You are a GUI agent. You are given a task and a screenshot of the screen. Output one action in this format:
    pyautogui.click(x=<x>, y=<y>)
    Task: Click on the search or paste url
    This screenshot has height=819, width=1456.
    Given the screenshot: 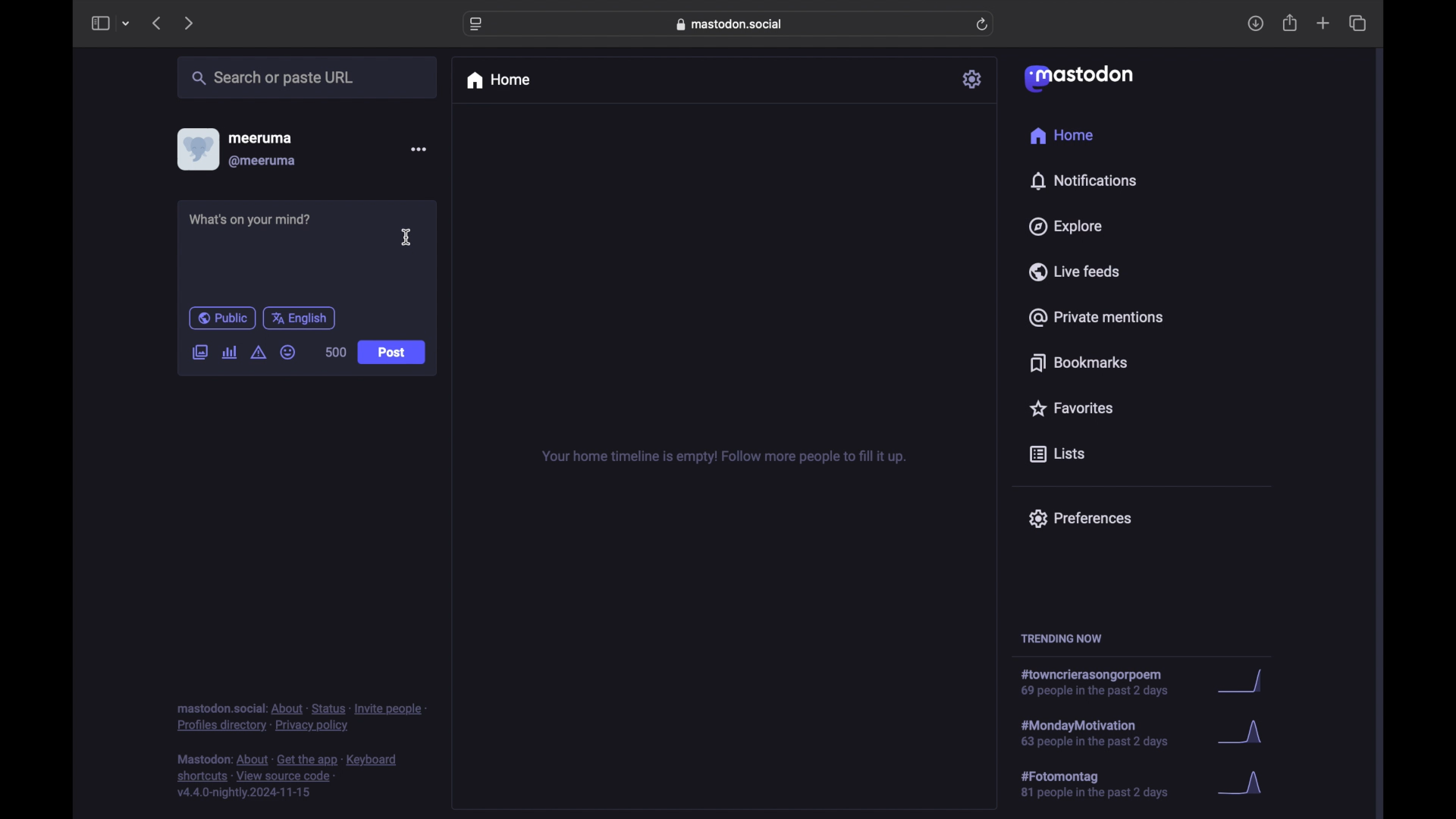 What is the action you would take?
    pyautogui.click(x=272, y=78)
    